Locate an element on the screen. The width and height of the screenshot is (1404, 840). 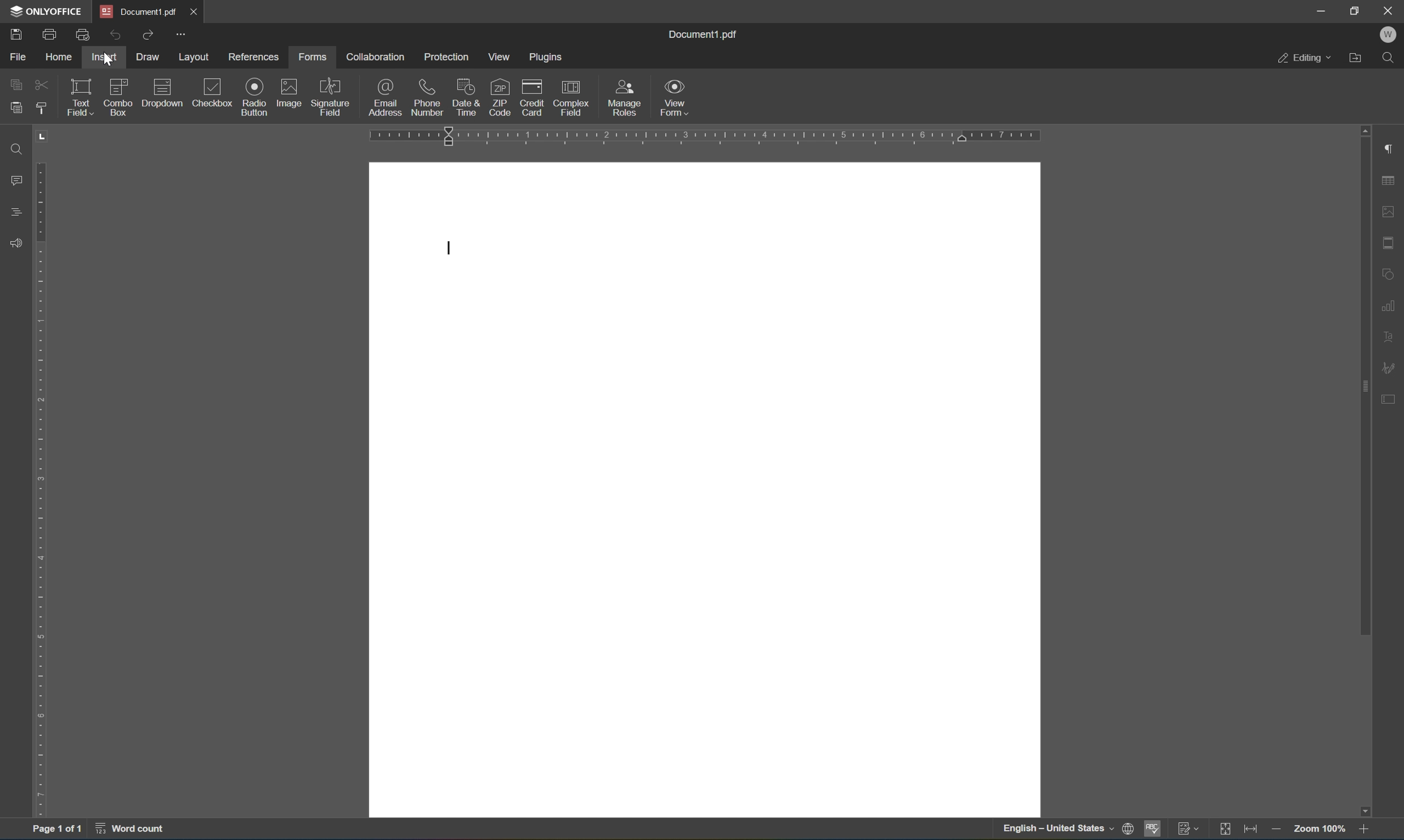
scroll bar settings is located at coordinates (1364, 380).